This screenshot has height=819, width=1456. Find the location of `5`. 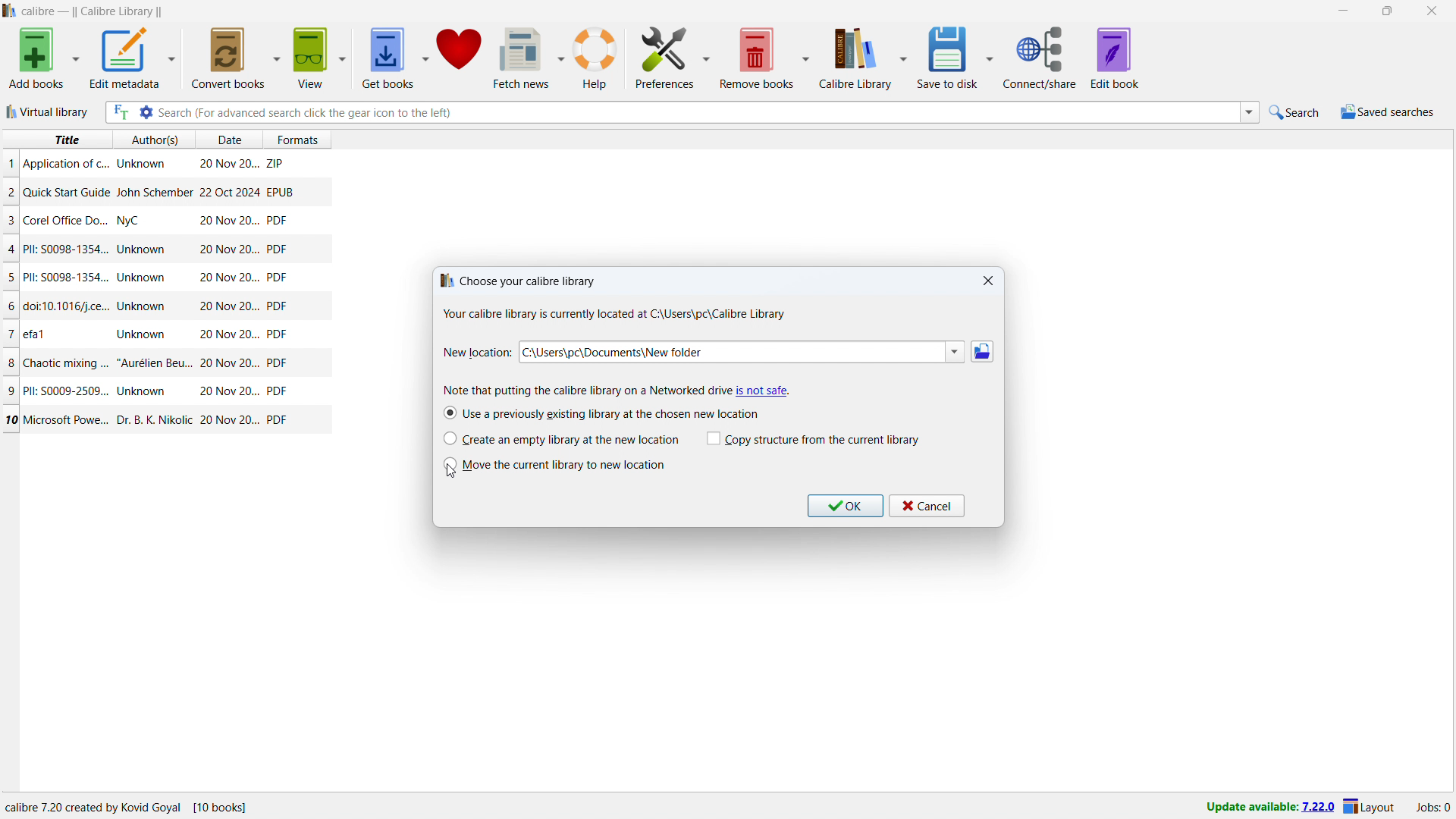

5 is located at coordinates (11, 278).